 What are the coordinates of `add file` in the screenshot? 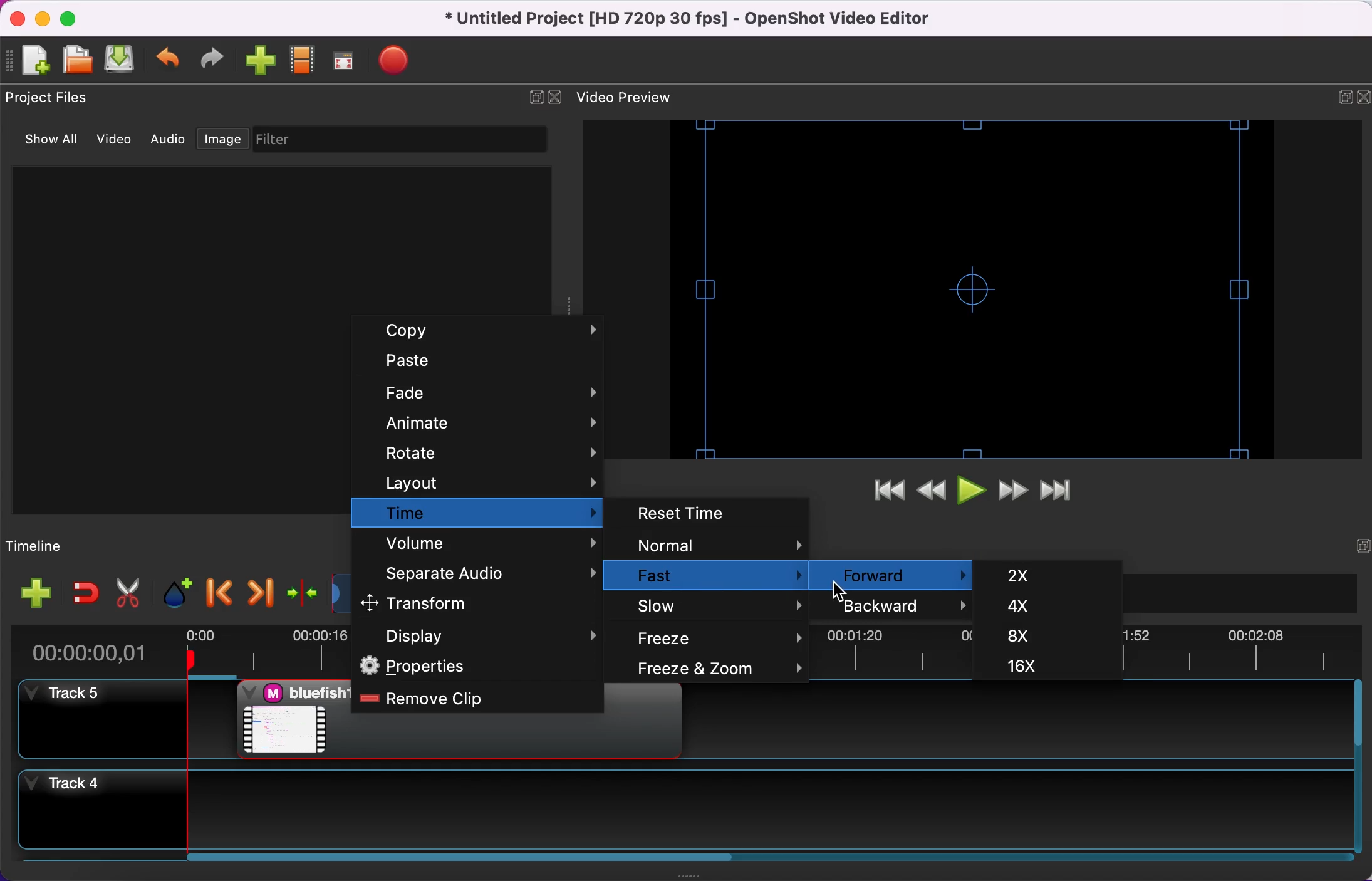 It's located at (38, 593).